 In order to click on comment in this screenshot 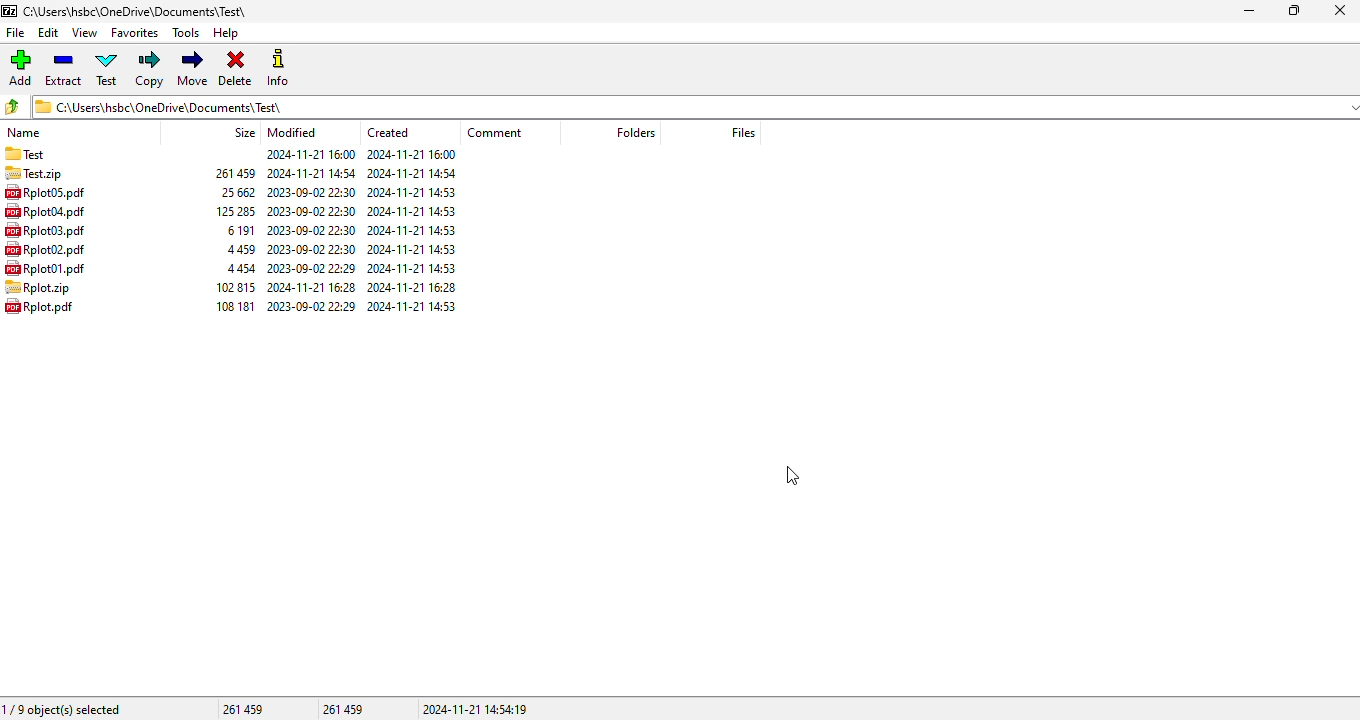, I will do `click(495, 133)`.